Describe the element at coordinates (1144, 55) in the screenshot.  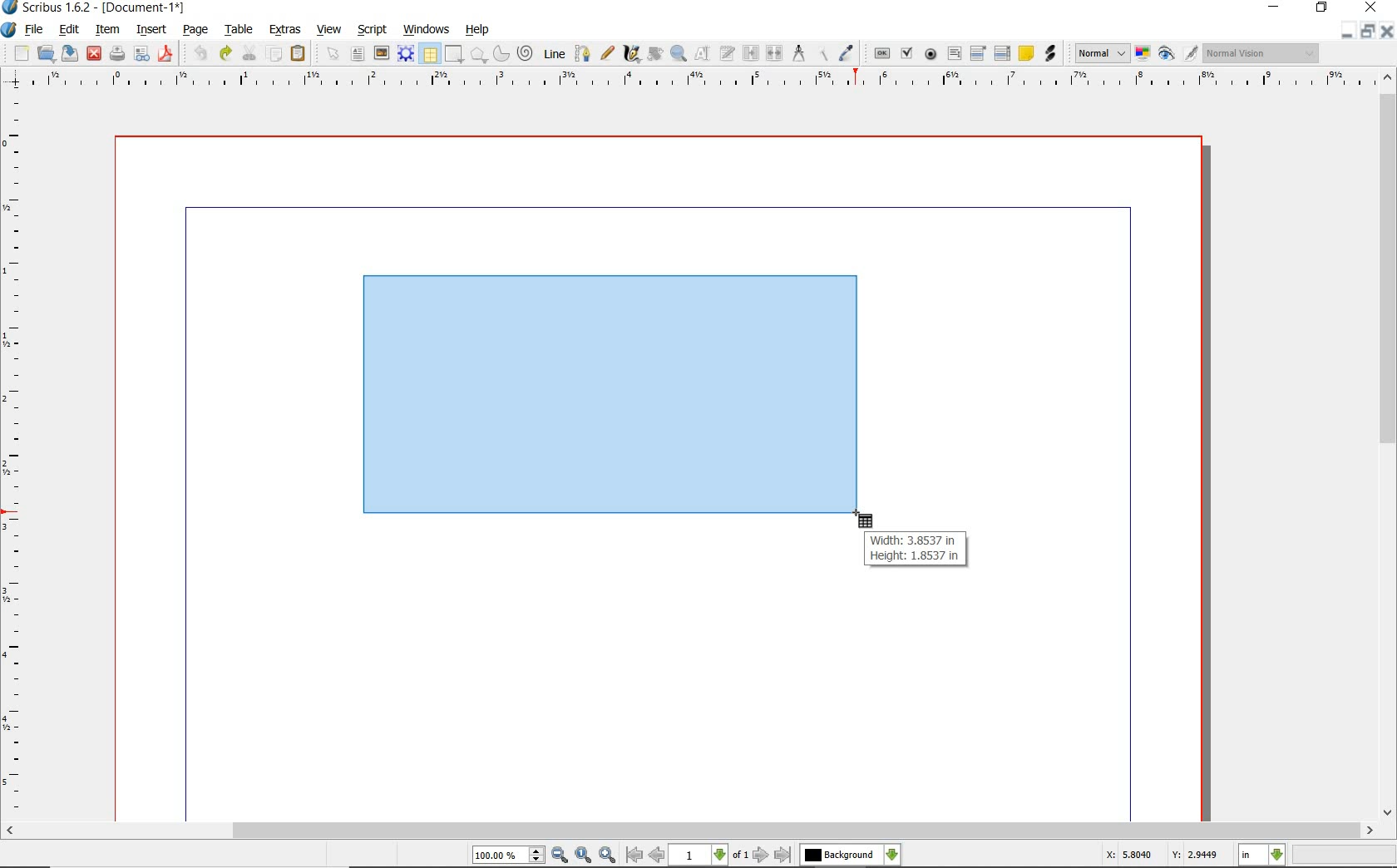
I see `toggle color management system` at that location.